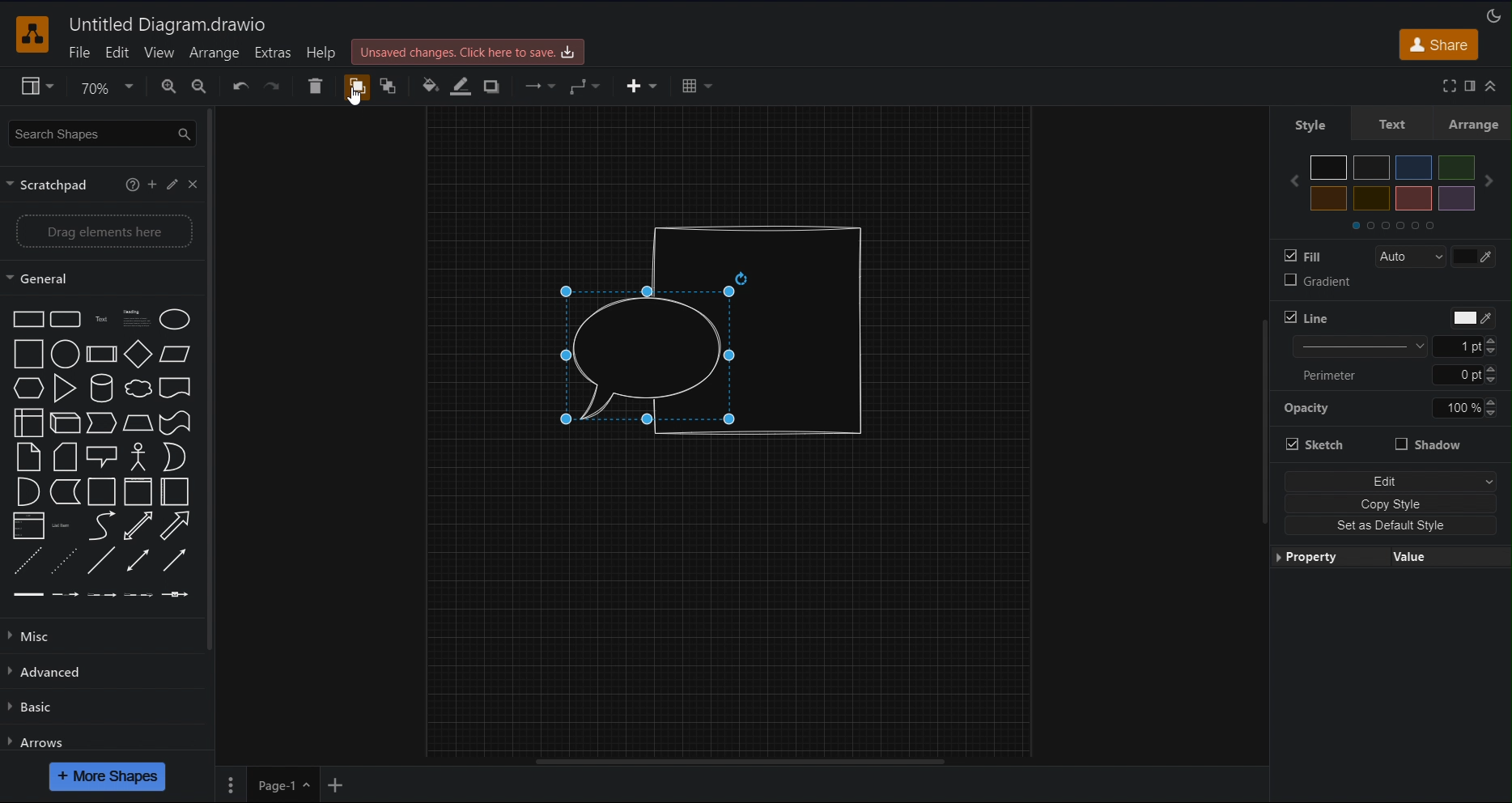 The width and height of the screenshot is (1512, 803). Describe the element at coordinates (1473, 257) in the screenshot. I see `Color picker` at that location.